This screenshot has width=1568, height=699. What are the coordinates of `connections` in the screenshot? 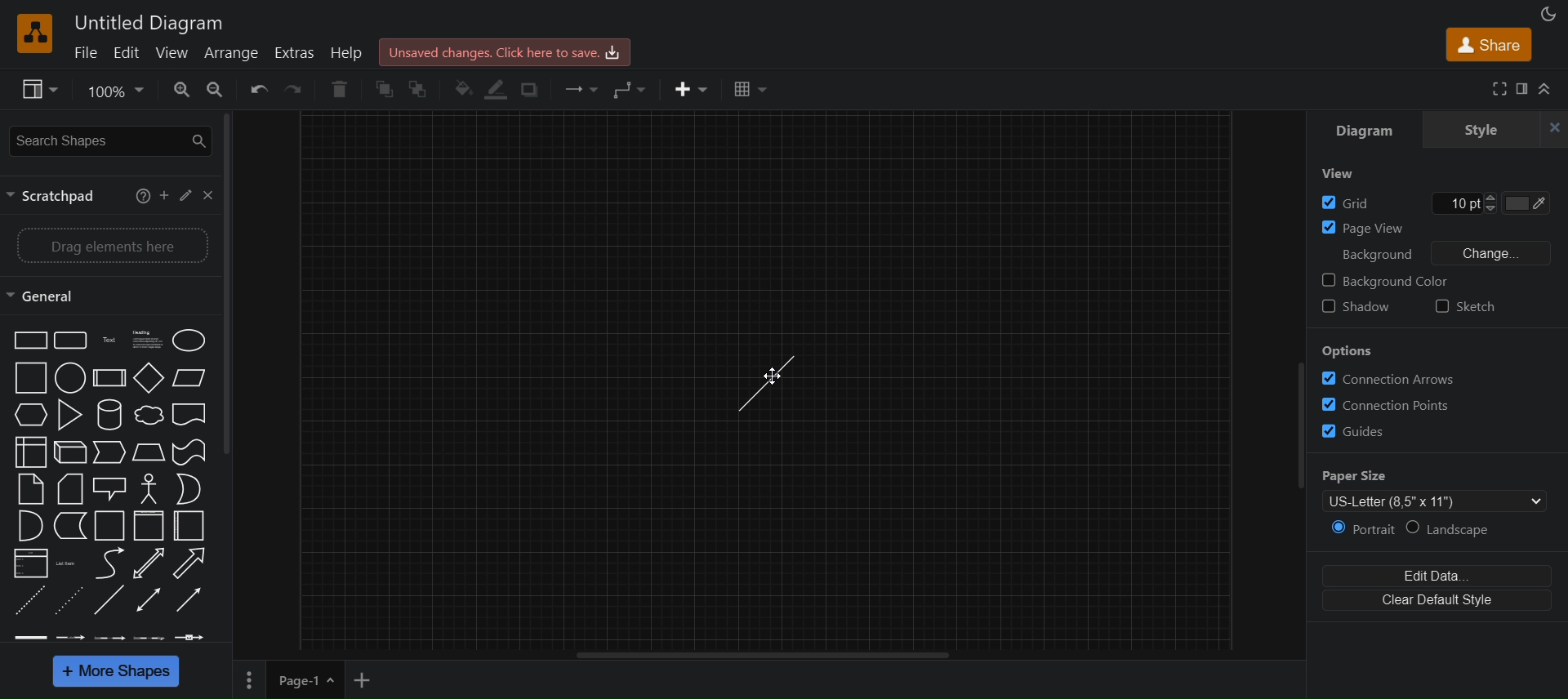 It's located at (580, 87).